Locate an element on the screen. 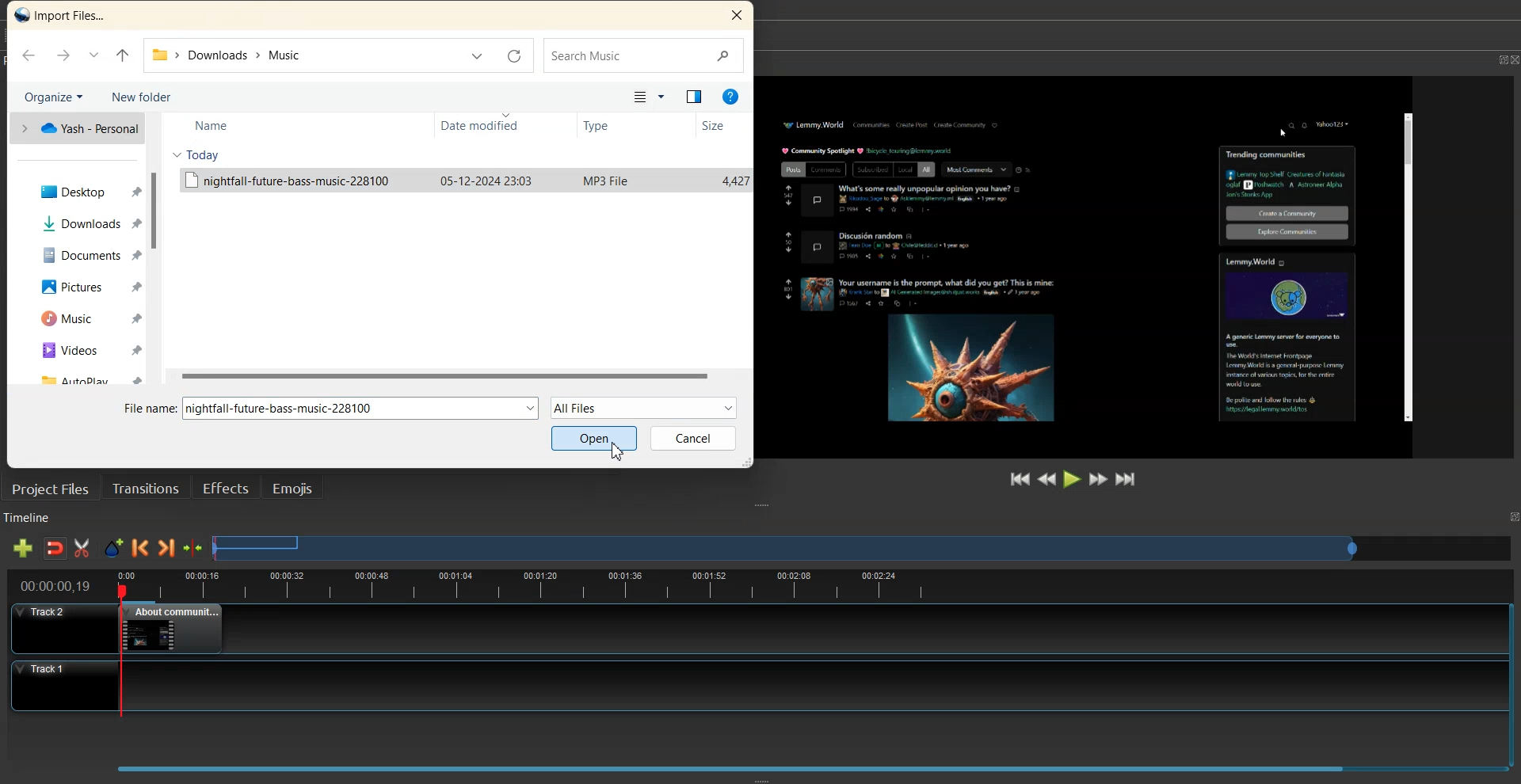 The image size is (1521, 784). Track 1 is located at coordinates (40, 687).